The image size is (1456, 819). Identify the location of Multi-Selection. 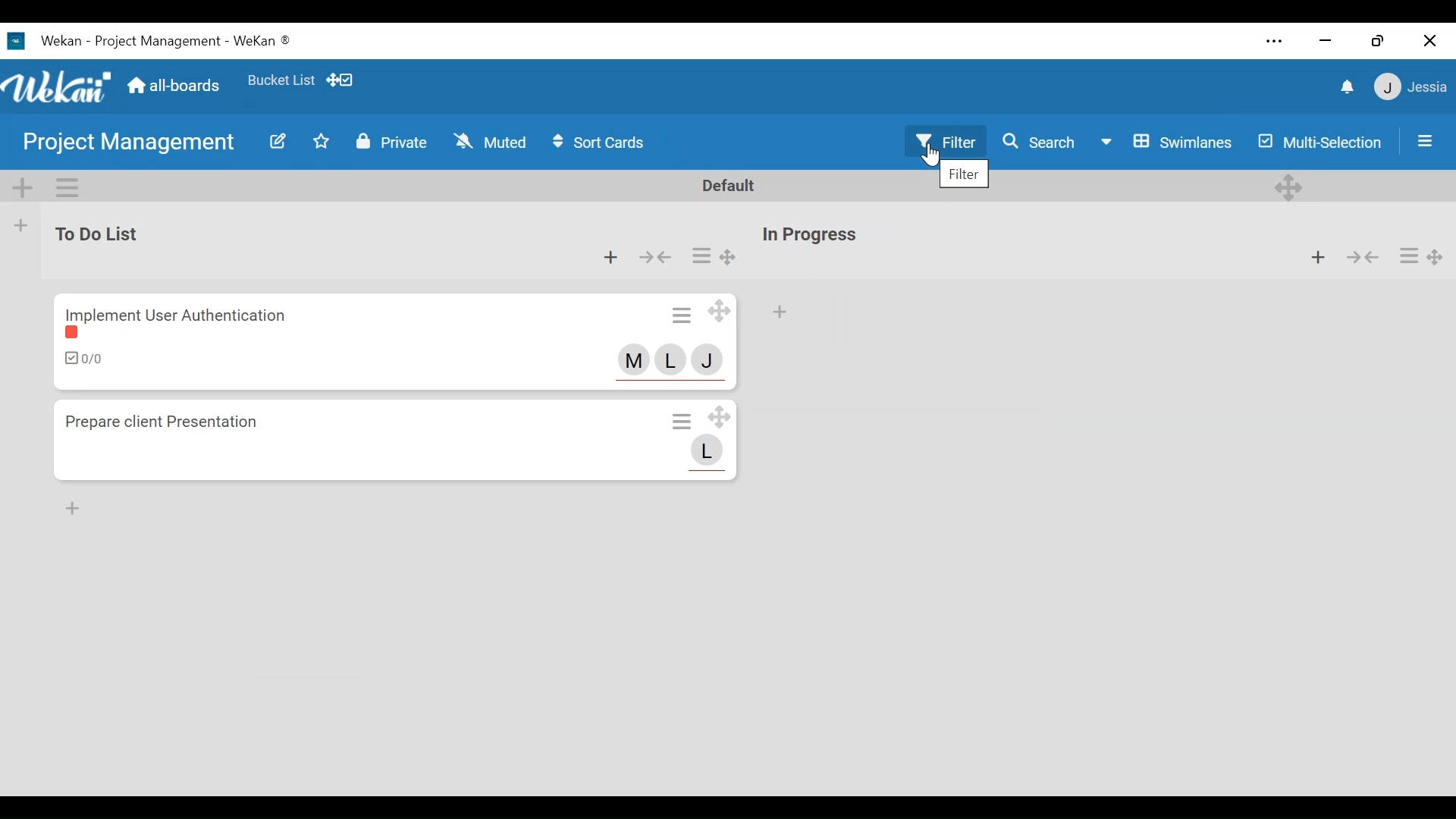
(1319, 141).